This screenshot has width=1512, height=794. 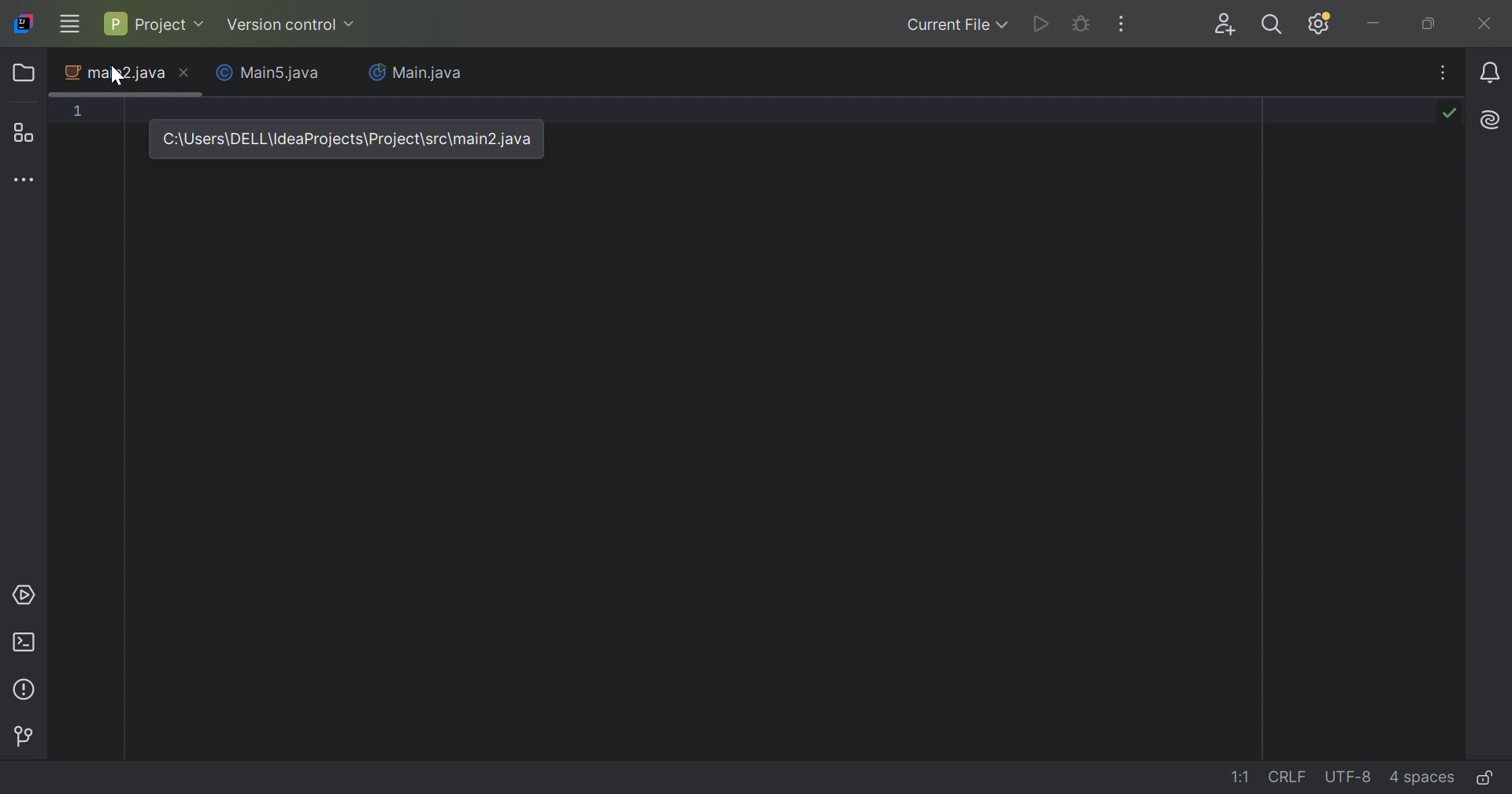 I want to click on Recent files, tab actions, and more, so click(x=1445, y=72).